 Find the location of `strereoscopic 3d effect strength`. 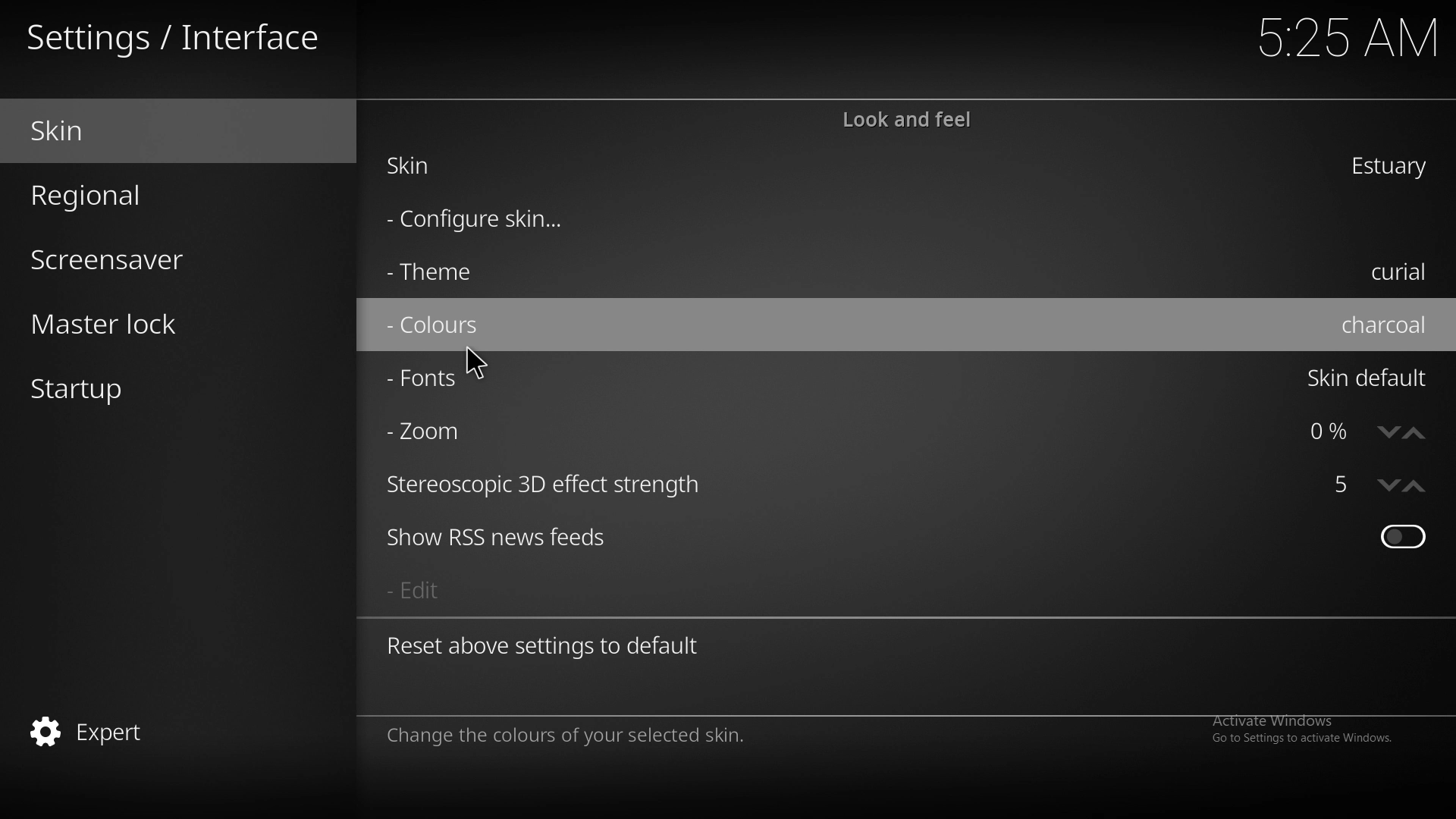

strereoscopic 3d effect strength is located at coordinates (1336, 488).